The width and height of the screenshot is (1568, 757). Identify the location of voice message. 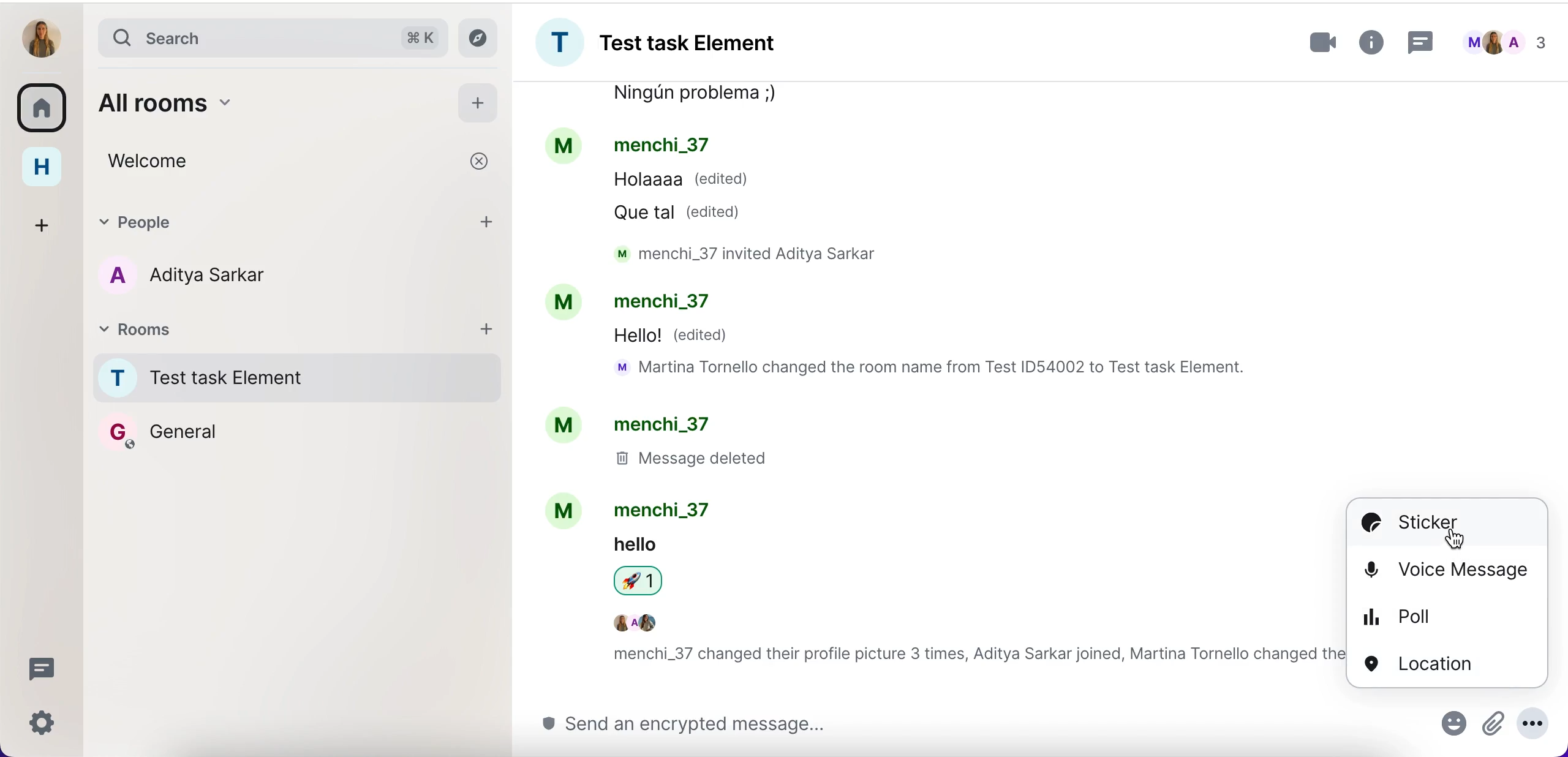
(1447, 571).